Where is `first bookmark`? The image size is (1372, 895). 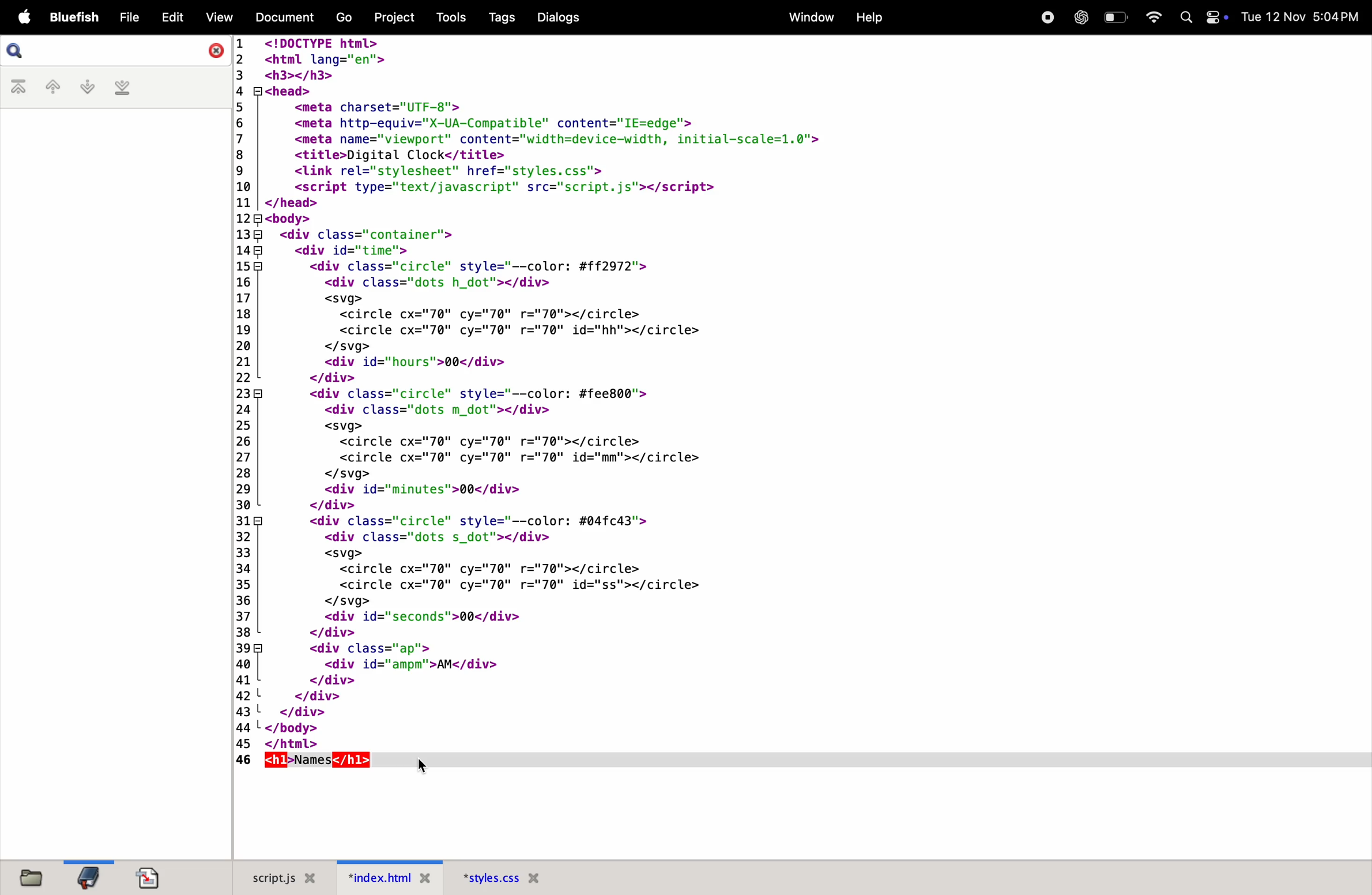
first bookmark is located at coordinates (17, 87).